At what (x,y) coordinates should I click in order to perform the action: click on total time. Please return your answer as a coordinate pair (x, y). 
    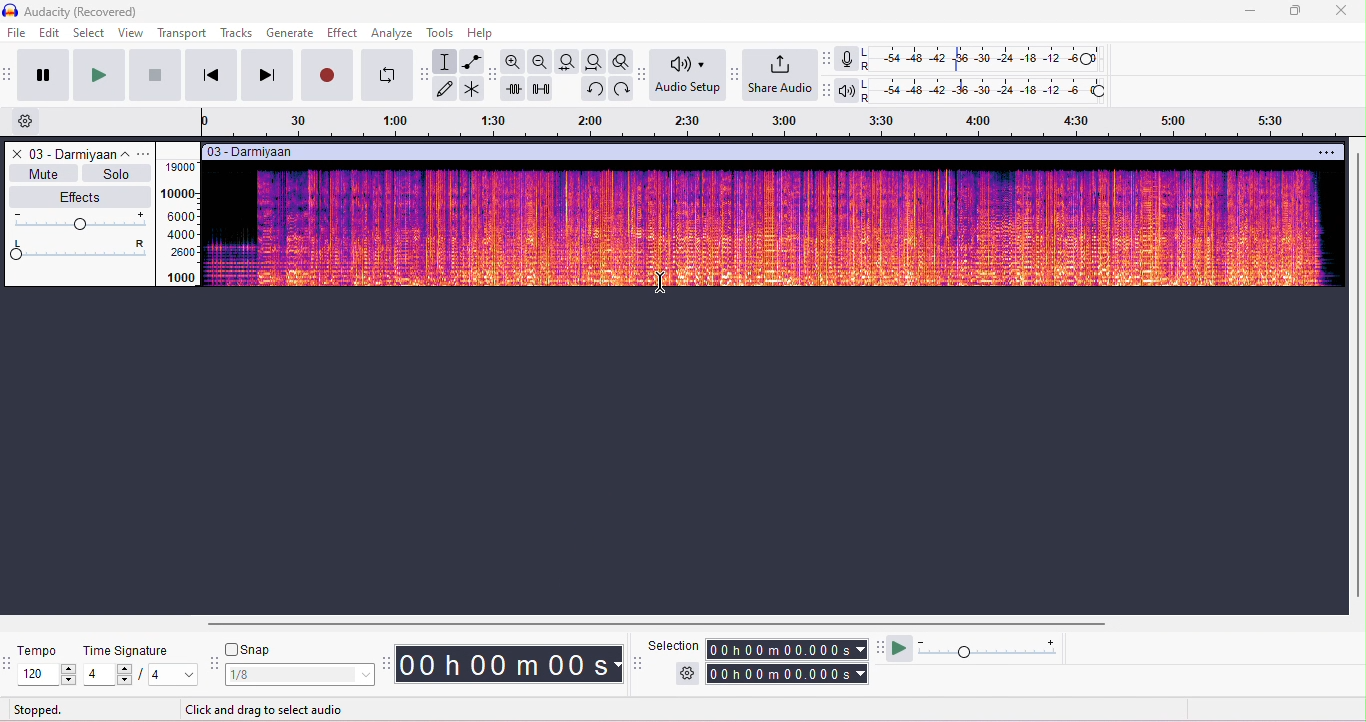
    Looking at the image, I should click on (785, 650).